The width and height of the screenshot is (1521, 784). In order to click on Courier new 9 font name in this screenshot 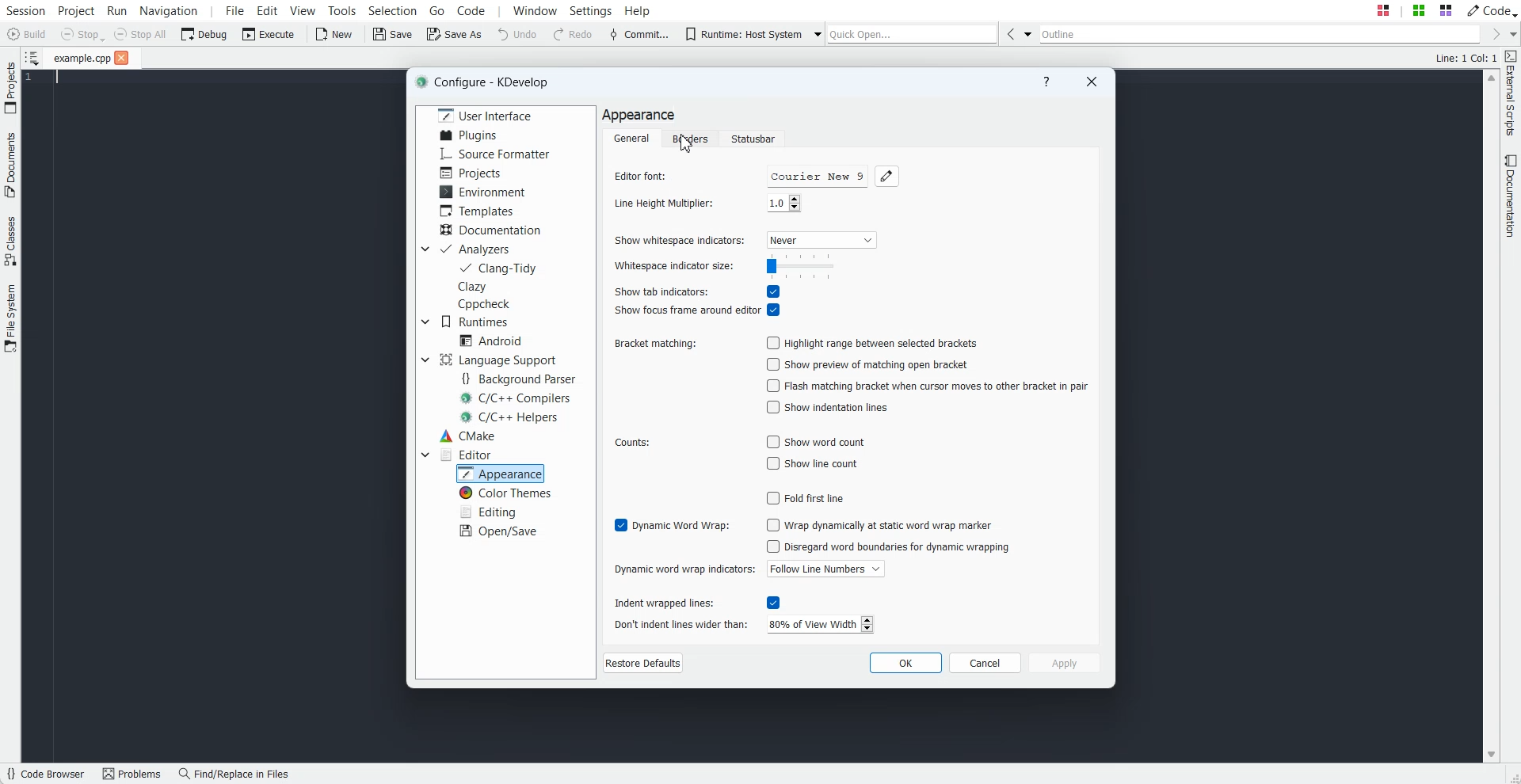, I will do `click(816, 176)`.